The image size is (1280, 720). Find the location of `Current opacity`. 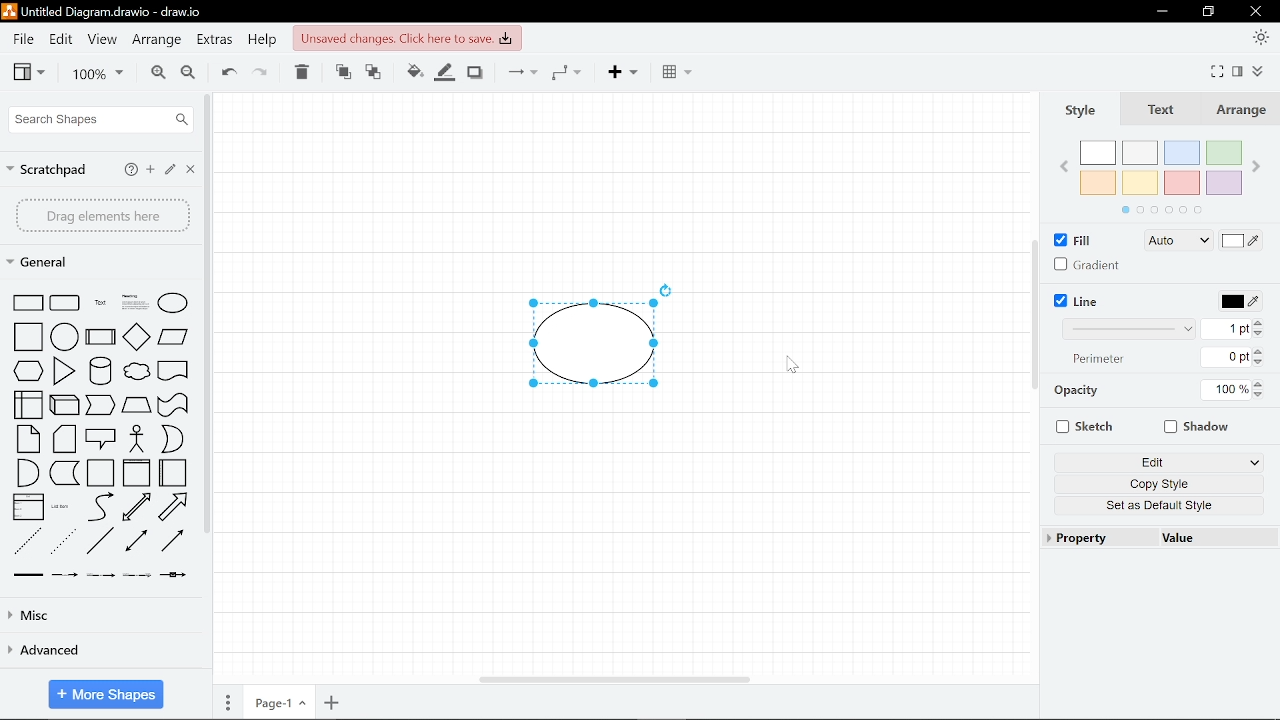

Current opacity is located at coordinates (1225, 391).